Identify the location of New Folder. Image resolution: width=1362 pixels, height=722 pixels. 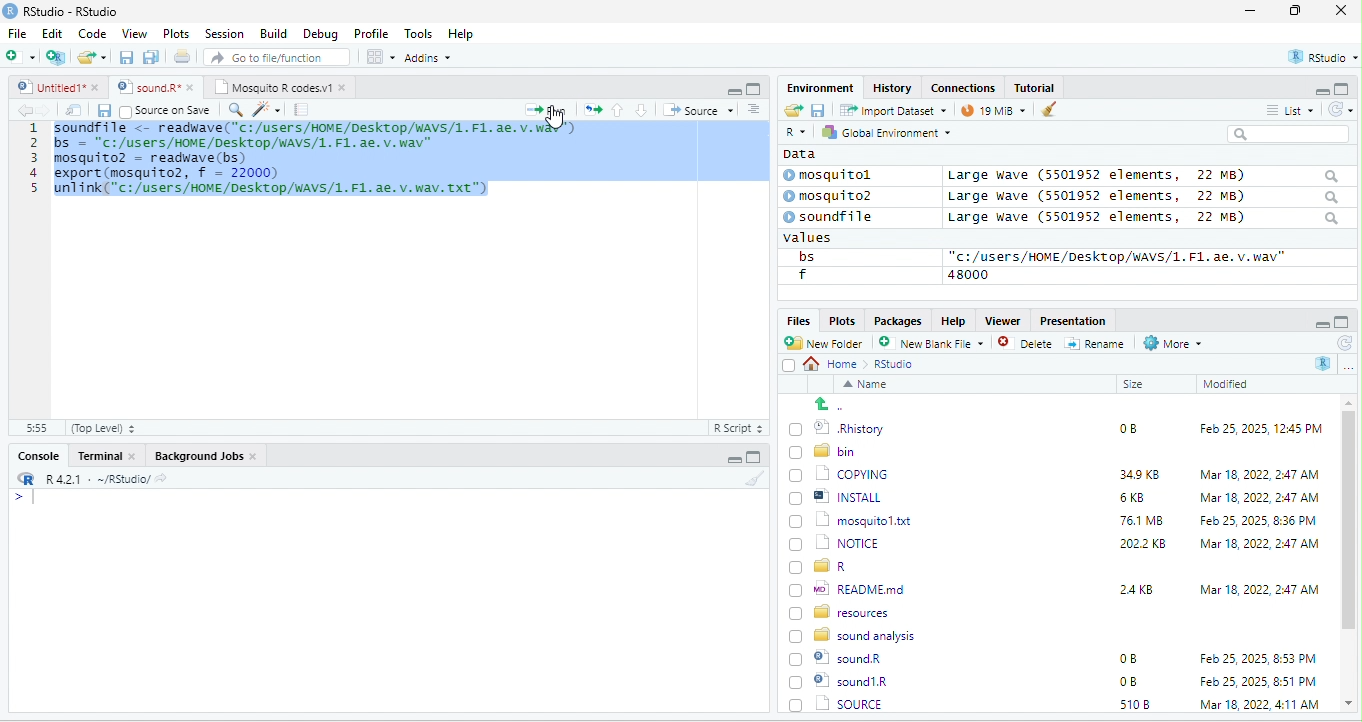
(828, 343).